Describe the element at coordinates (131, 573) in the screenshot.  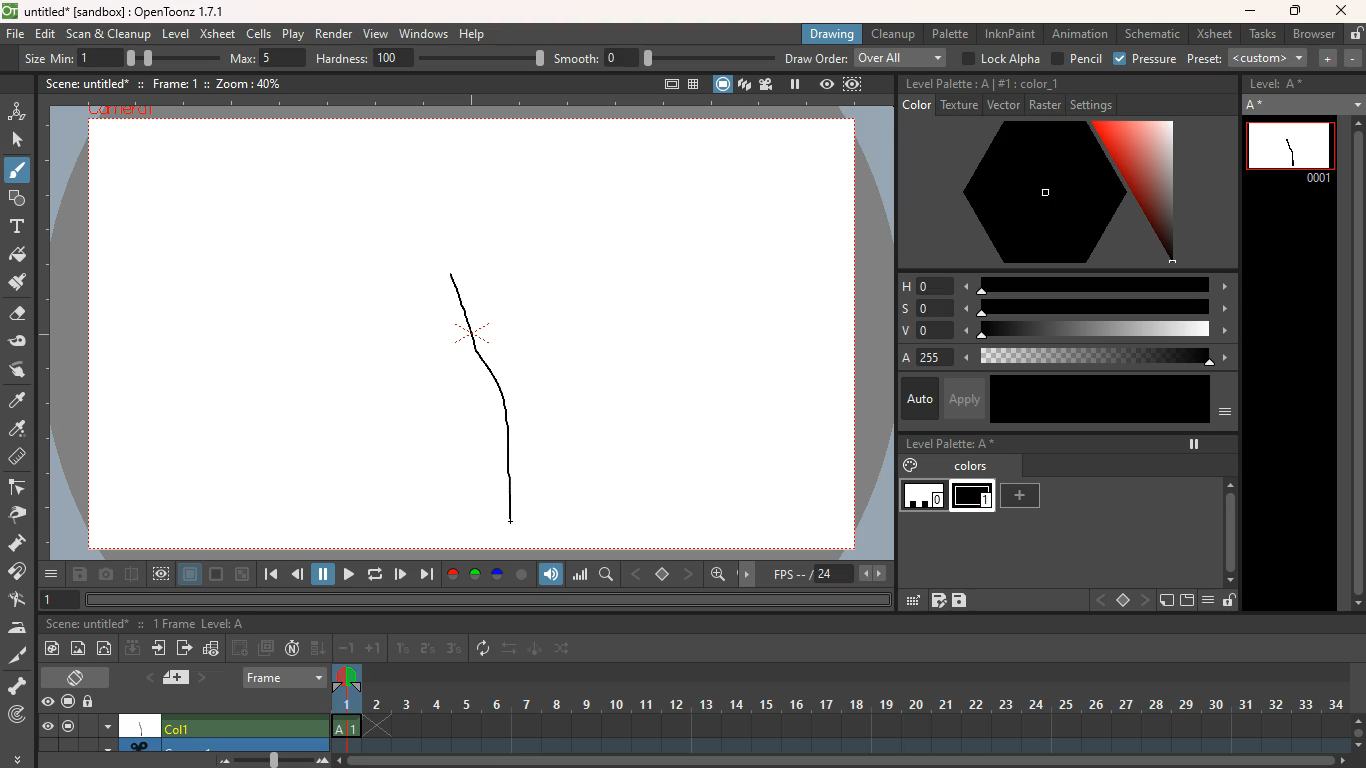
I see `divide` at that location.